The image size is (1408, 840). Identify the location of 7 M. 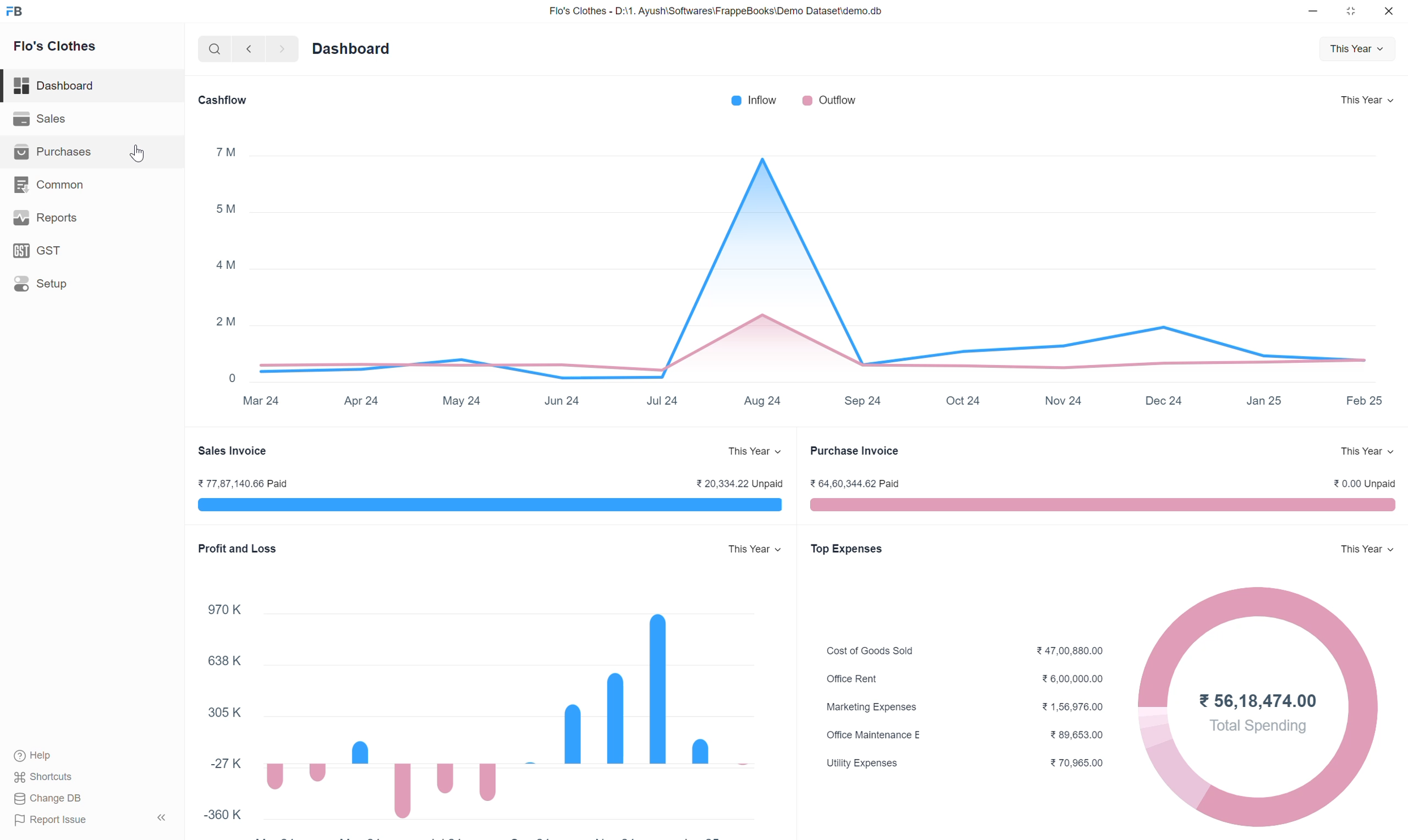
(225, 152).